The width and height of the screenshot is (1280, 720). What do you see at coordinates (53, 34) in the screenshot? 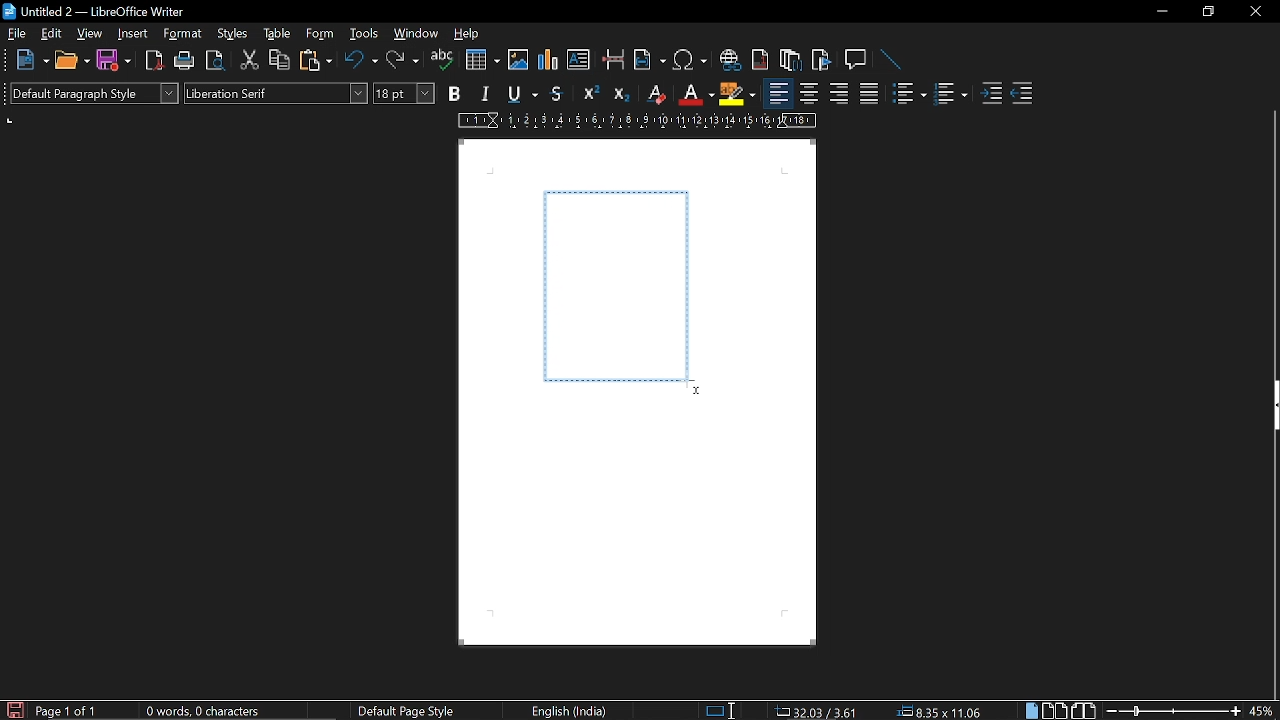
I see `edit` at bounding box center [53, 34].